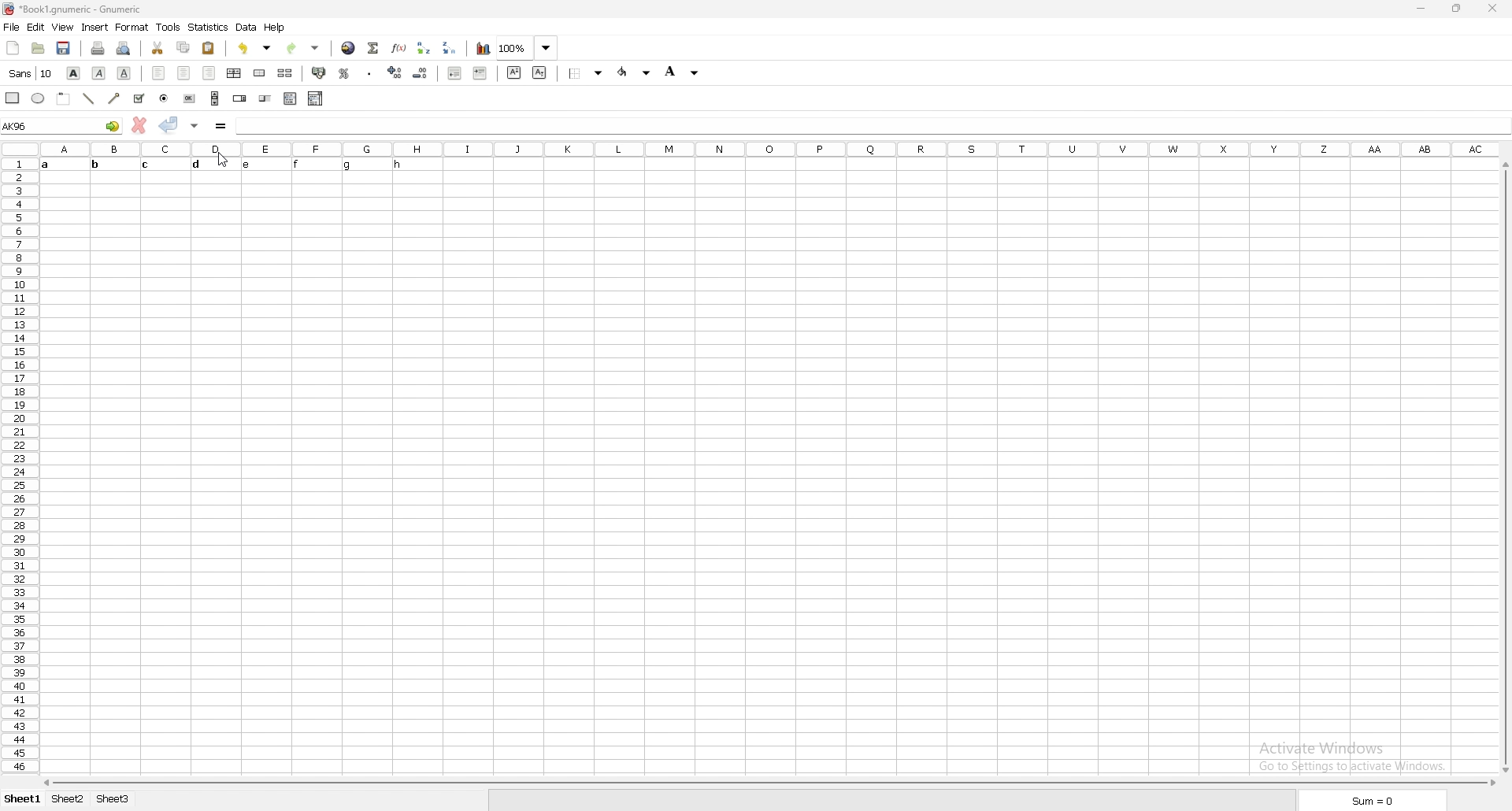 The width and height of the screenshot is (1512, 811). I want to click on edit, so click(35, 27).